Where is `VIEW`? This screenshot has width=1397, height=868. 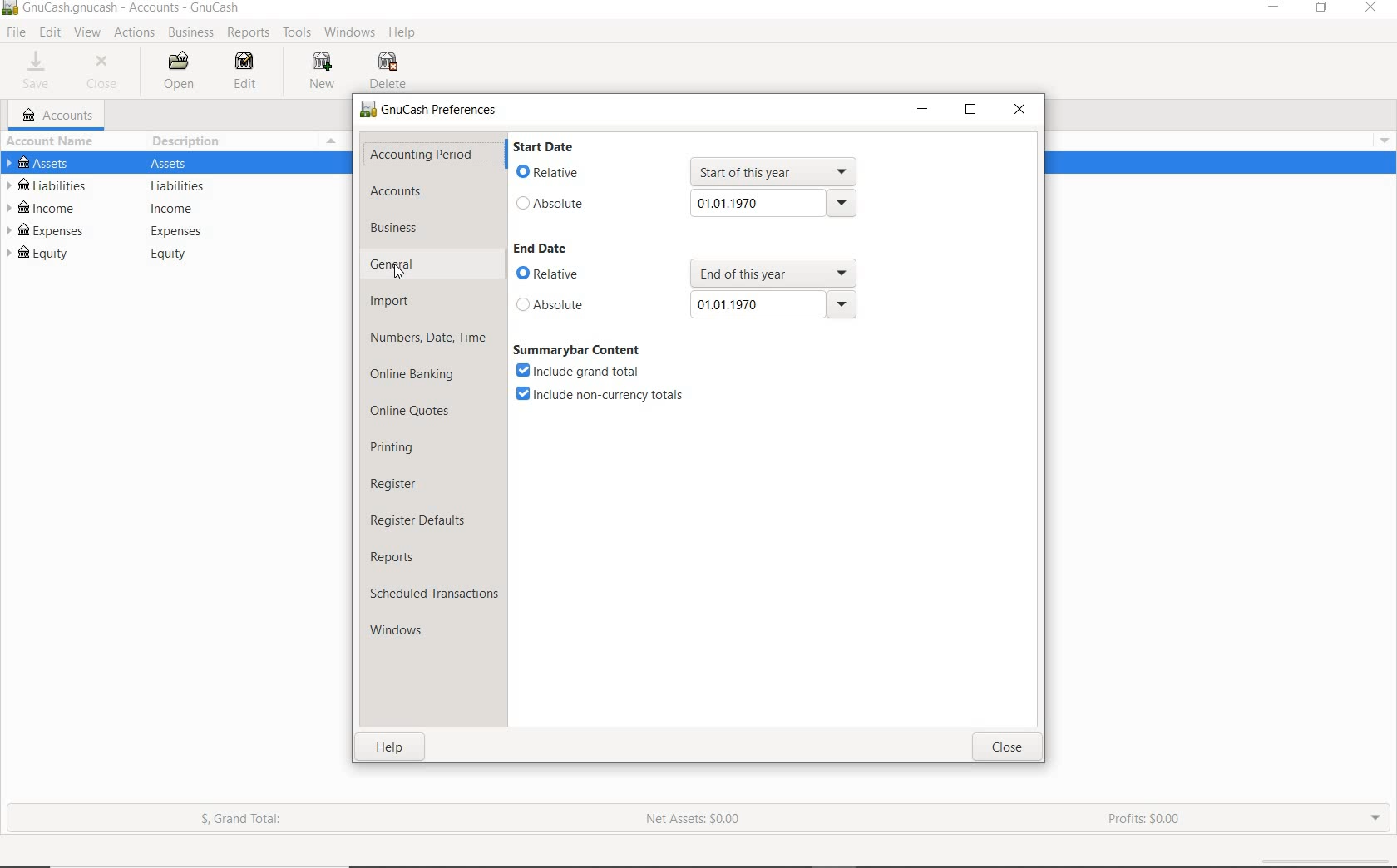
VIEW is located at coordinates (88, 33).